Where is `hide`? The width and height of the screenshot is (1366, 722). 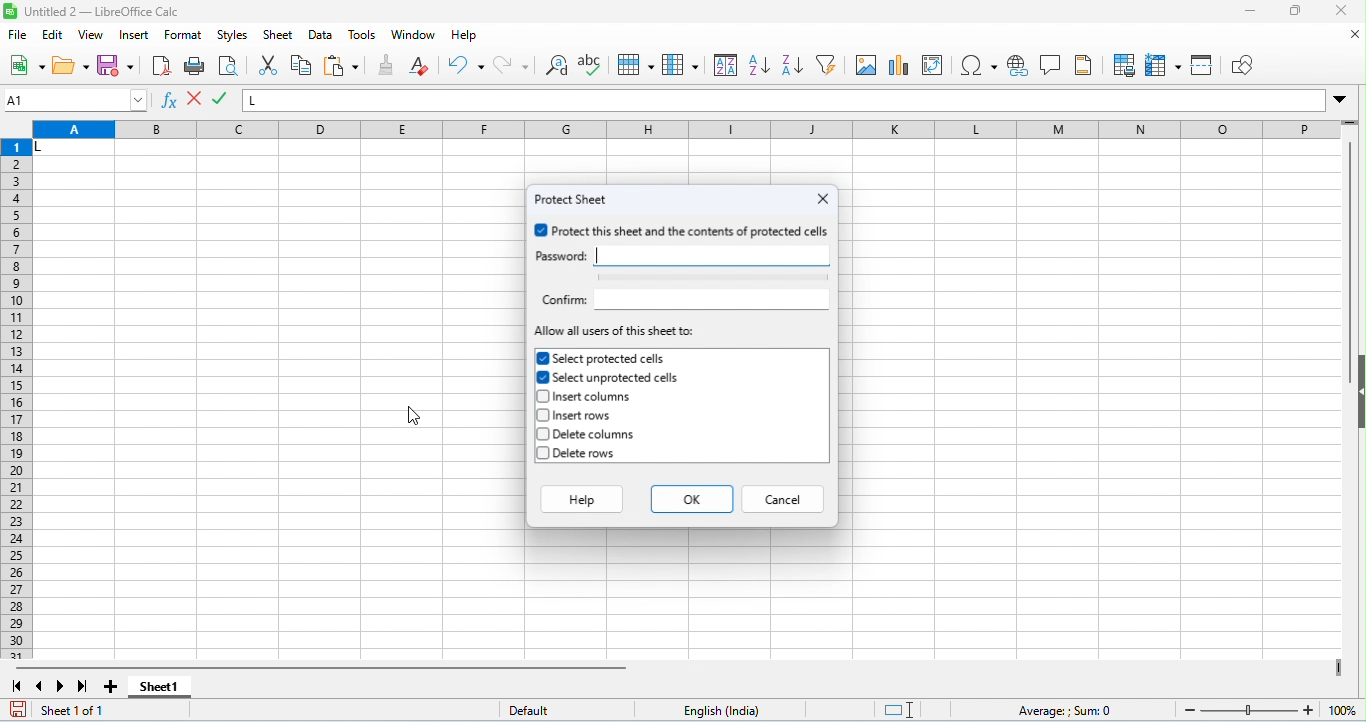 hide is located at coordinates (1357, 390).